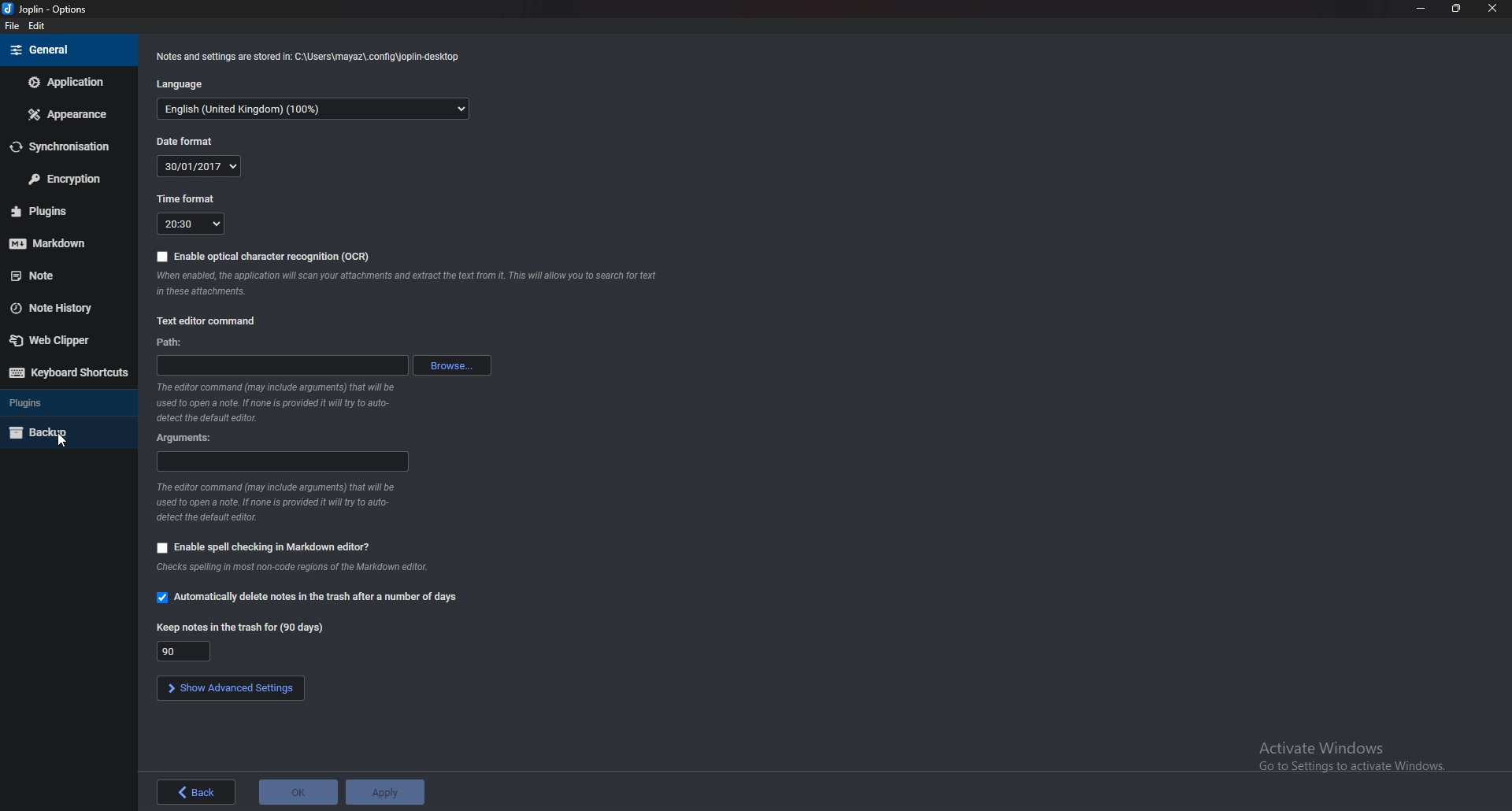 The height and width of the screenshot is (811, 1512). I want to click on Synchronization, so click(62, 147).